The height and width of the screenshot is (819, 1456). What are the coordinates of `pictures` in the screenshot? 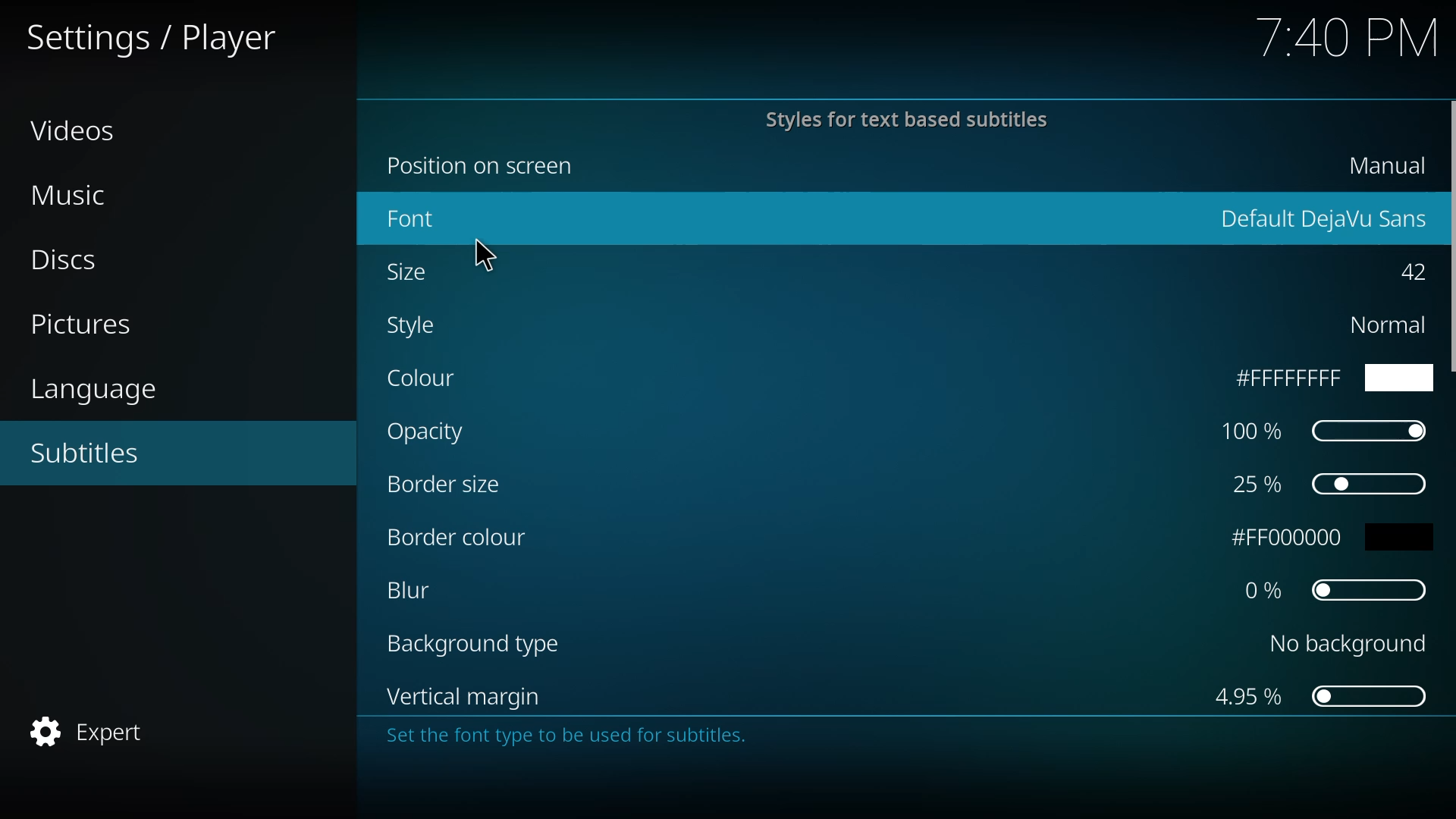 It's located at (83, 325).